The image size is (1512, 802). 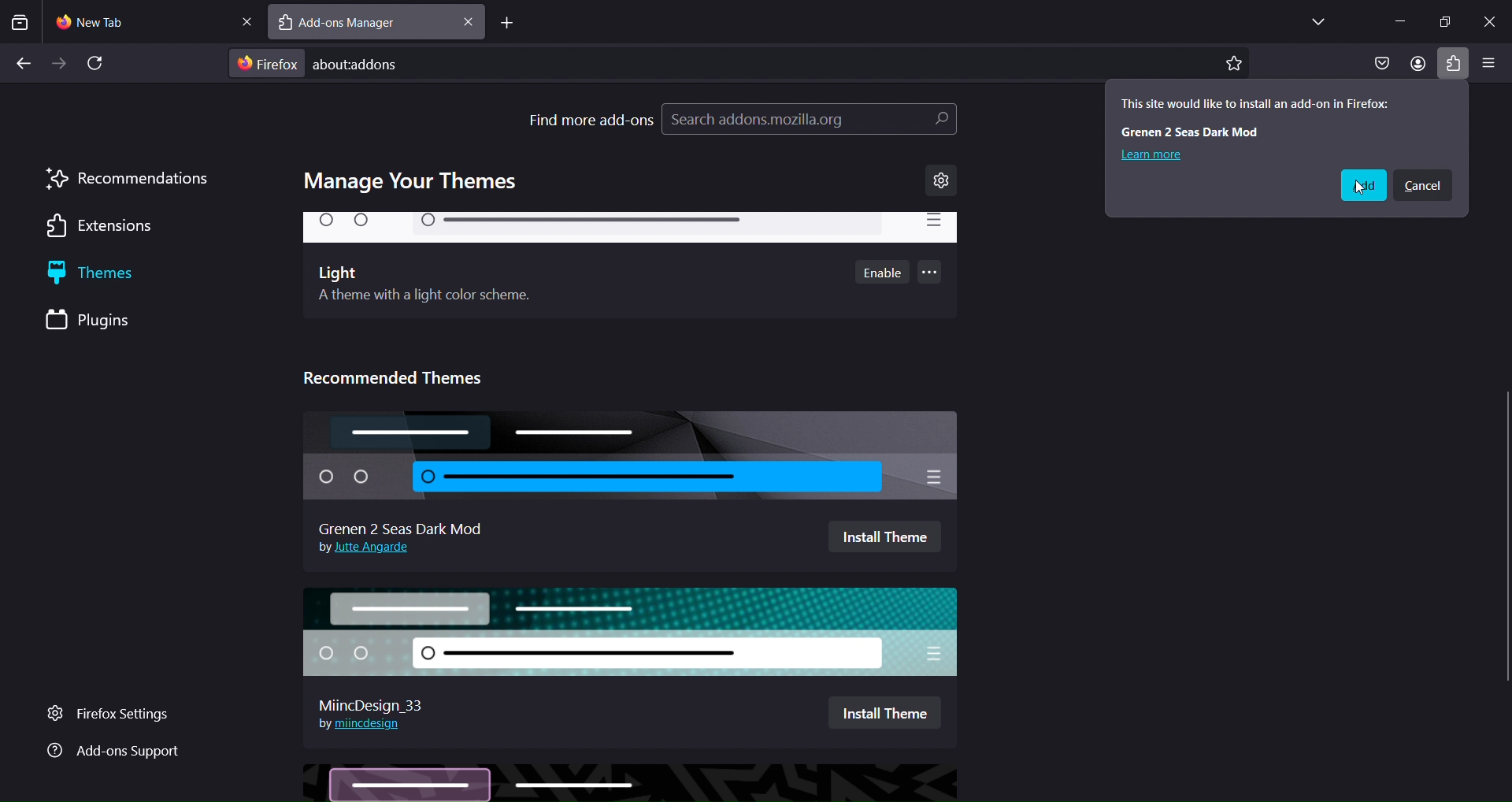 I want to click on extensions, so click(x=1451, y=63).